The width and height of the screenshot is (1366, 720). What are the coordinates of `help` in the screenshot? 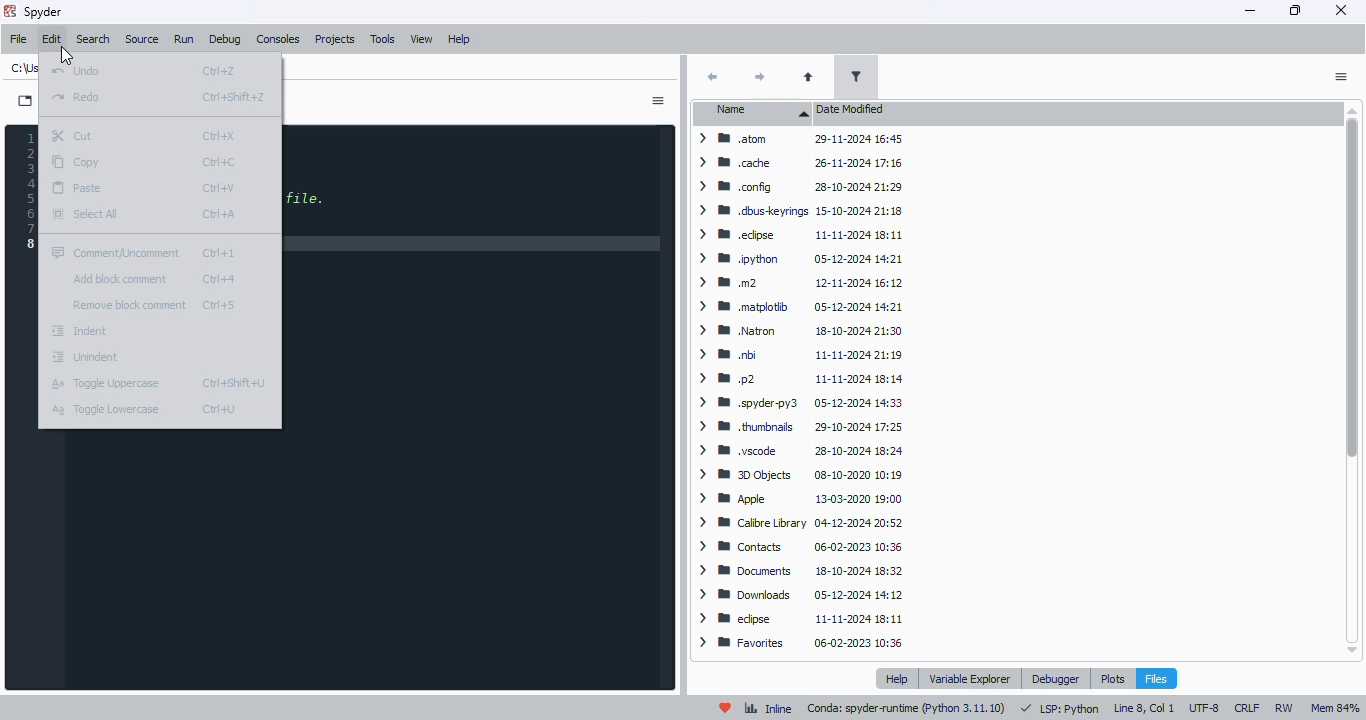 It's located at (460, 39).